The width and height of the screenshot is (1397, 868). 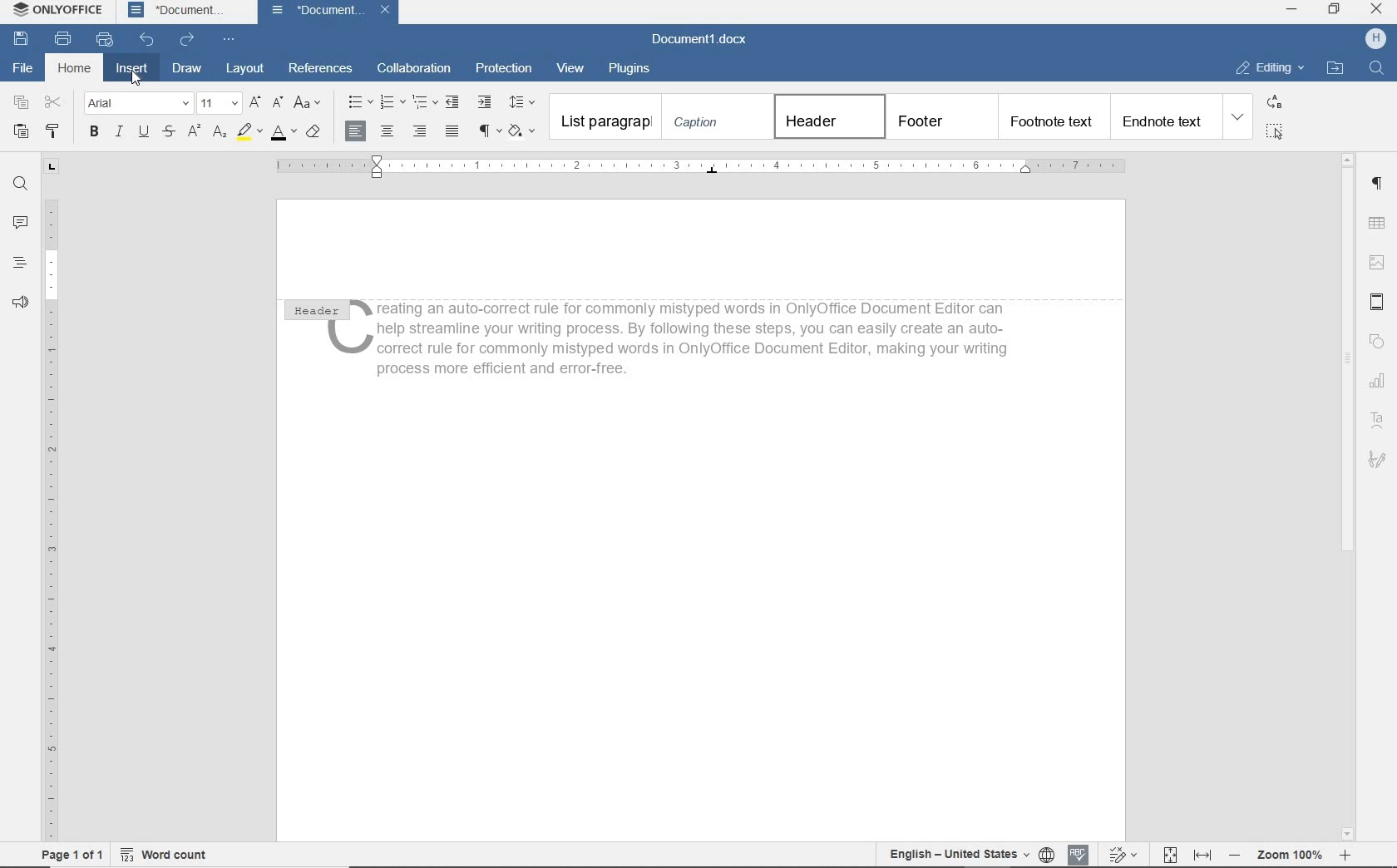 What do you see at coordinates (1376, 263) in the screenshot?
I see `IMAGE` at bounding box center [1376, 263].